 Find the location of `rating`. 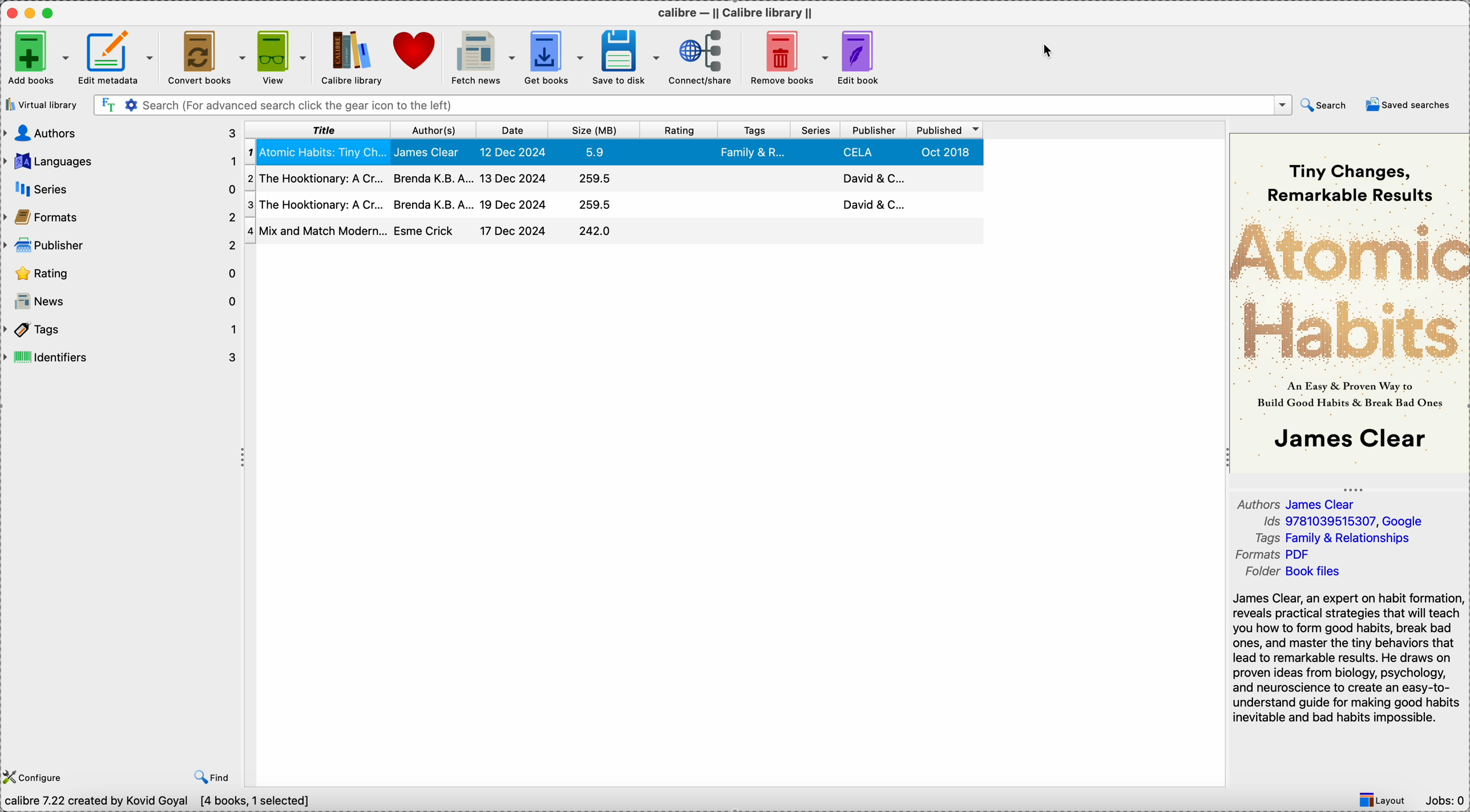

rating is located at coordinates (120, 273).